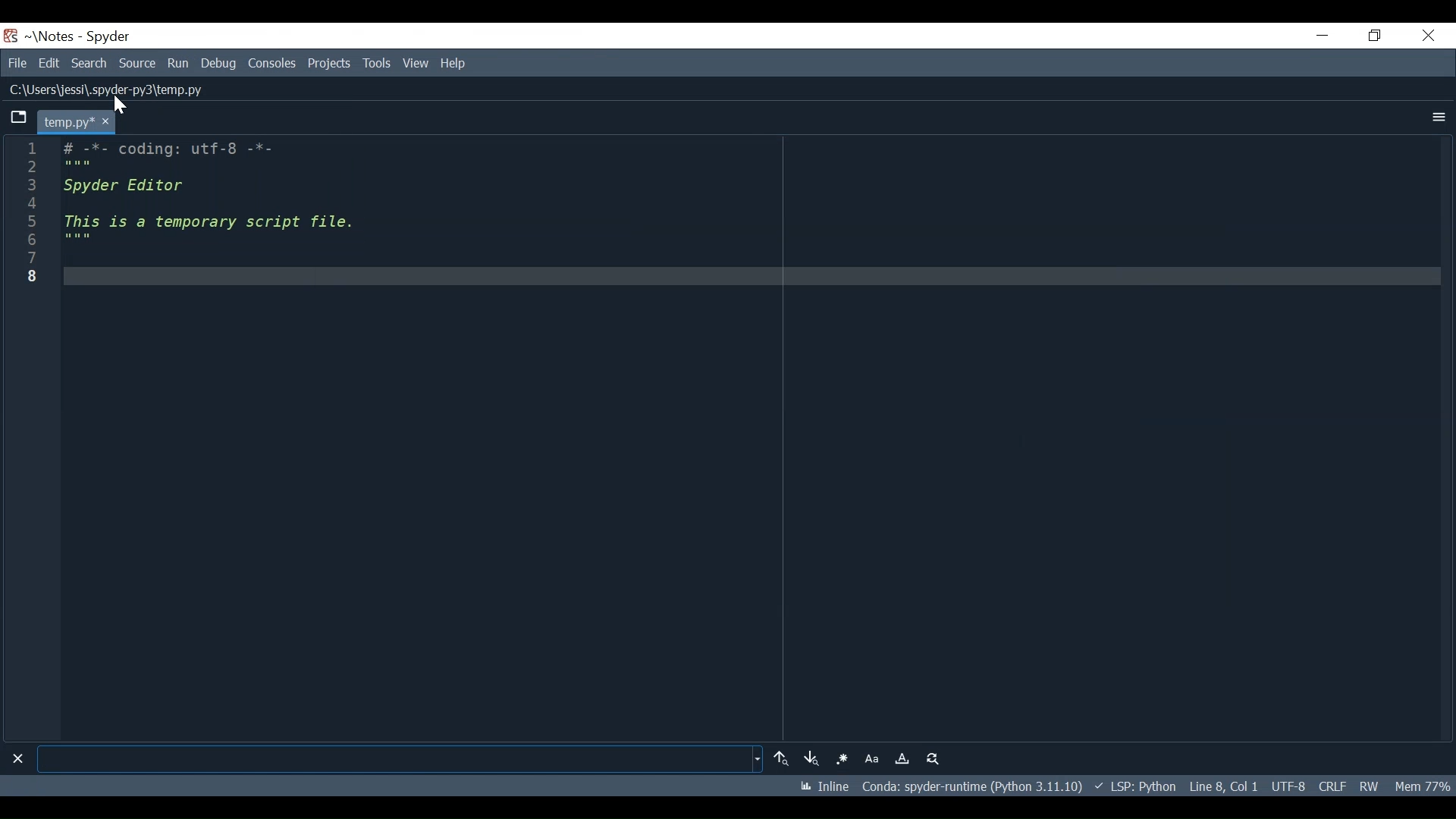 The image size is (1456, 819). What do you see at coordinates (26, 439) in the screenshot?
I see `line column` at bounding box center [26, 439].